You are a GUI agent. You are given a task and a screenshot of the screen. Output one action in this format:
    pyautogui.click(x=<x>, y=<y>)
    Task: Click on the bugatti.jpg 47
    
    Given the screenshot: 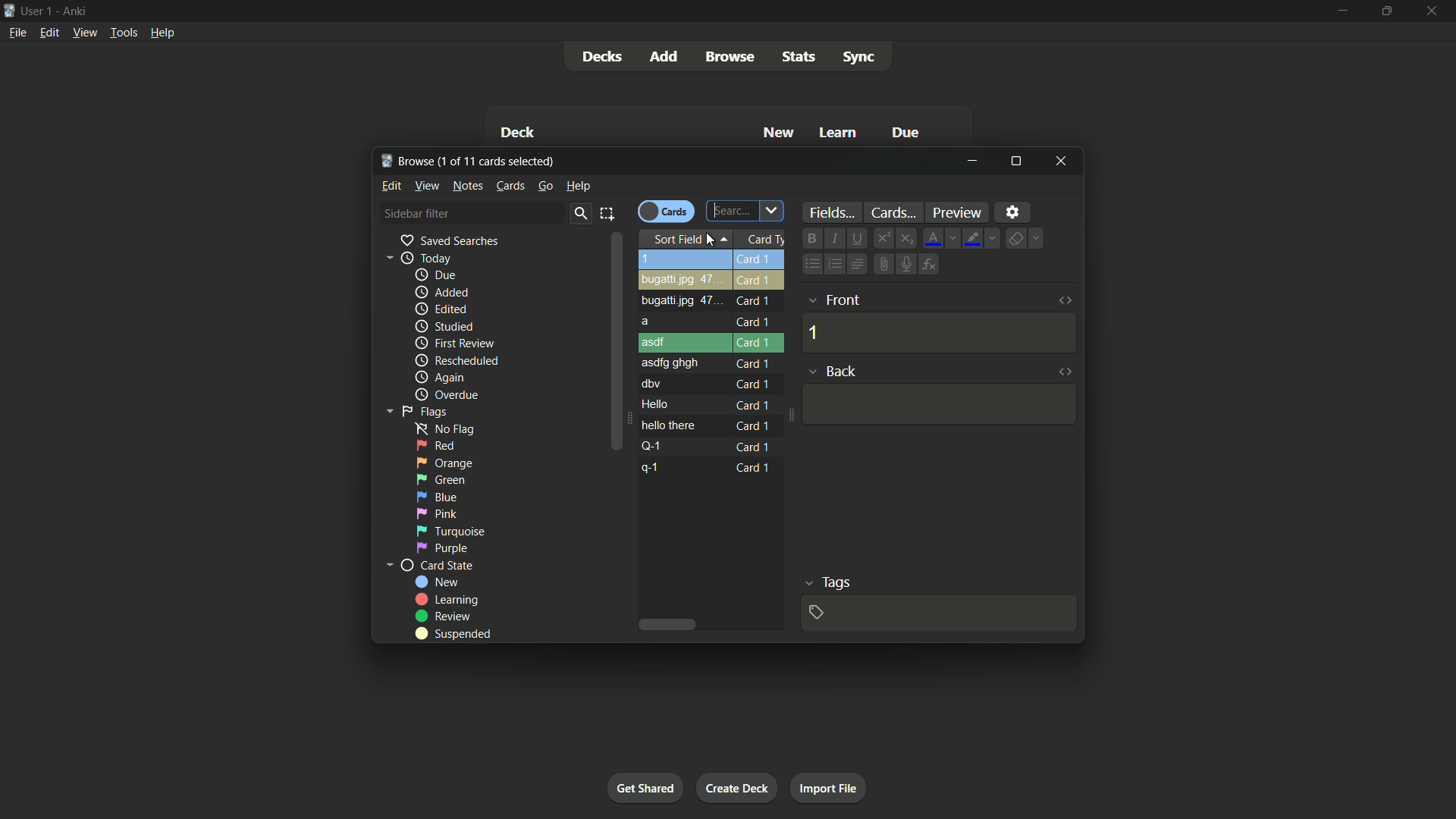 What is the action you would take?
    pyautogui.click(x=682, y=301)
    